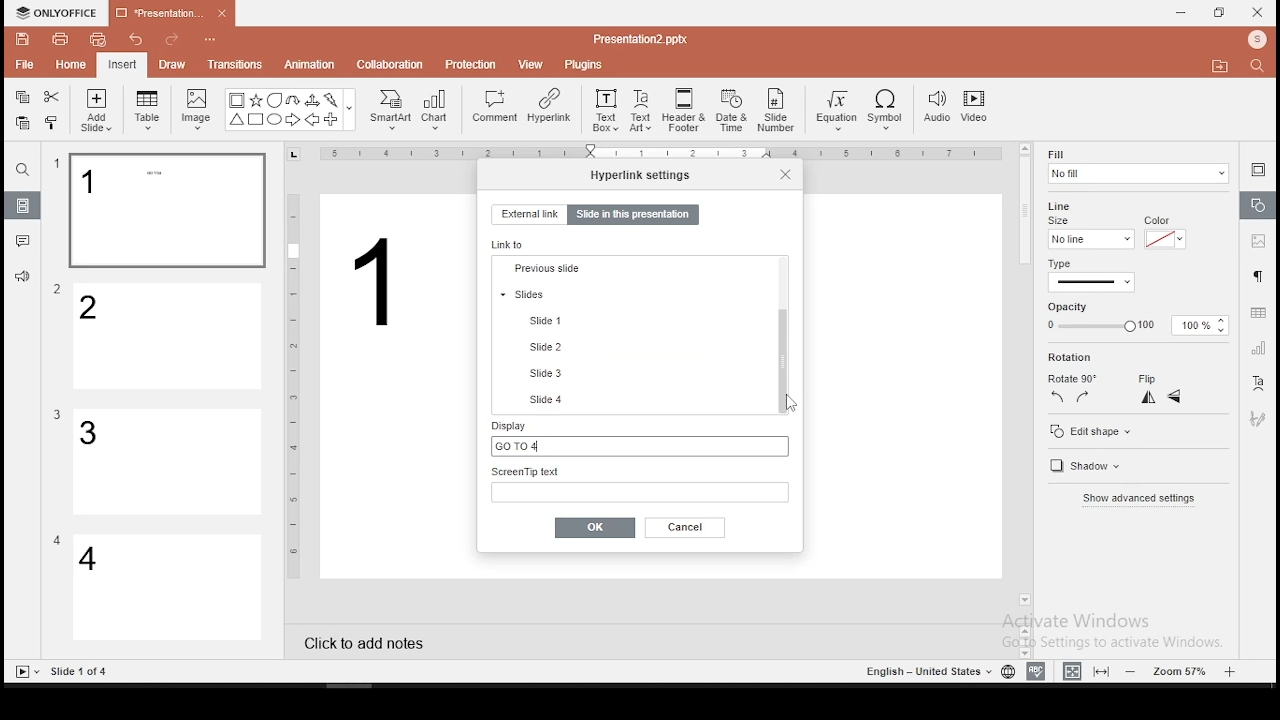 Image resolution: width=1280 pixels, height=720 pixels. I want to click on link to, so click(511, 244).